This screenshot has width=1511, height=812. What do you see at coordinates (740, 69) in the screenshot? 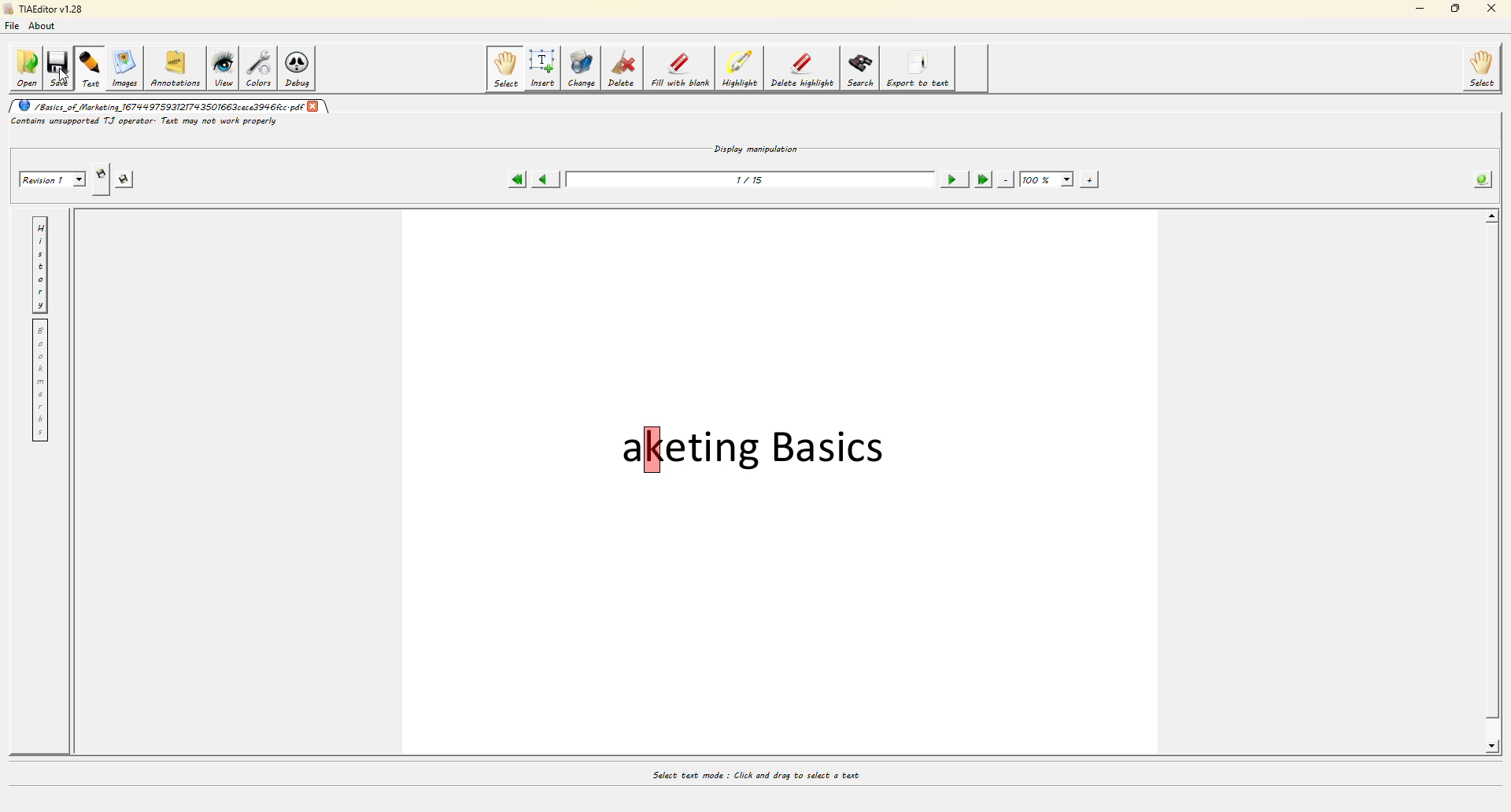
I see `highlight` at bounding box center [740, 69].